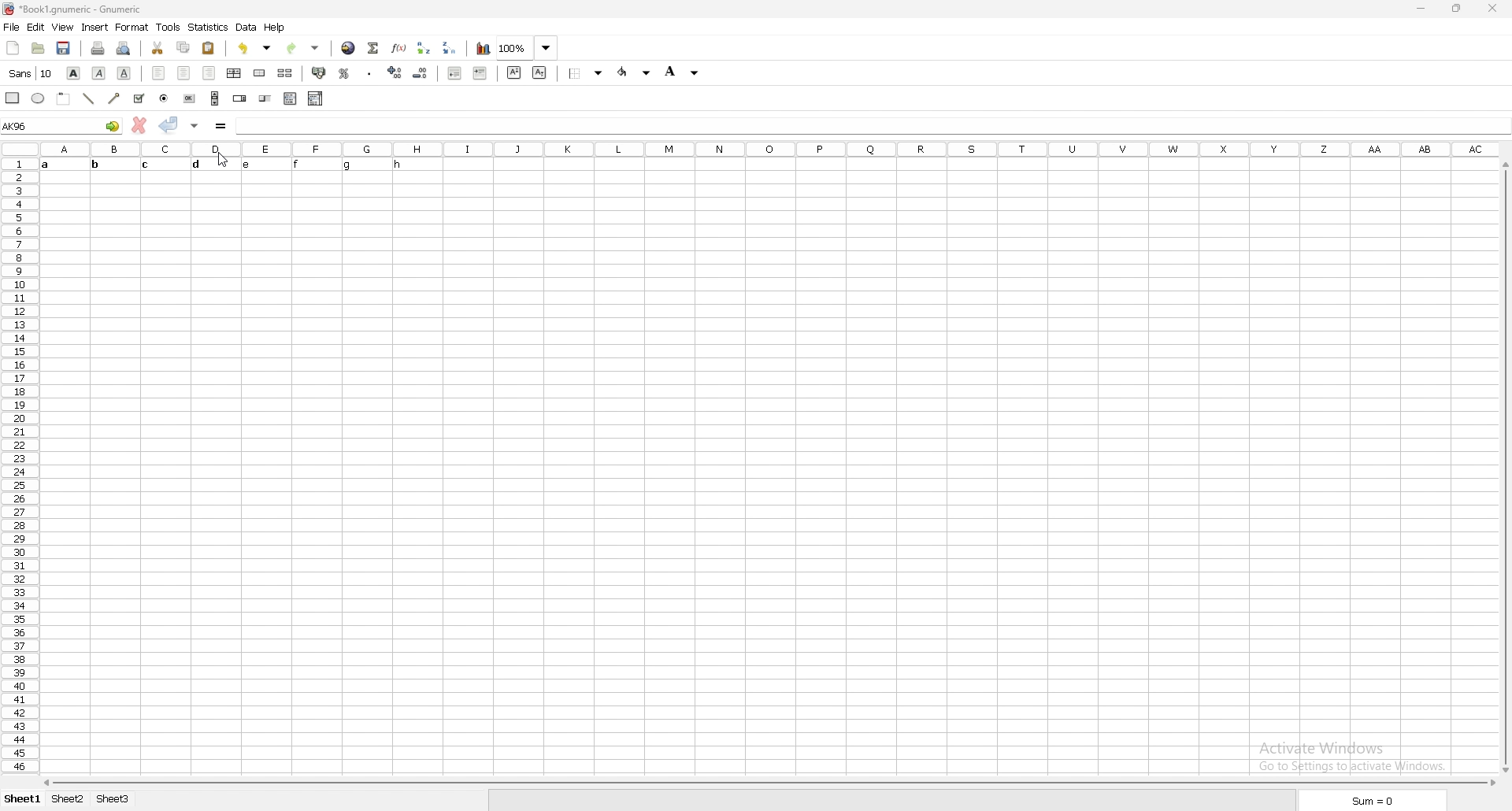  What do you see at coordinates (514, 72) in the screenshot?
I see `superscript` at bounding box center [514, 72].